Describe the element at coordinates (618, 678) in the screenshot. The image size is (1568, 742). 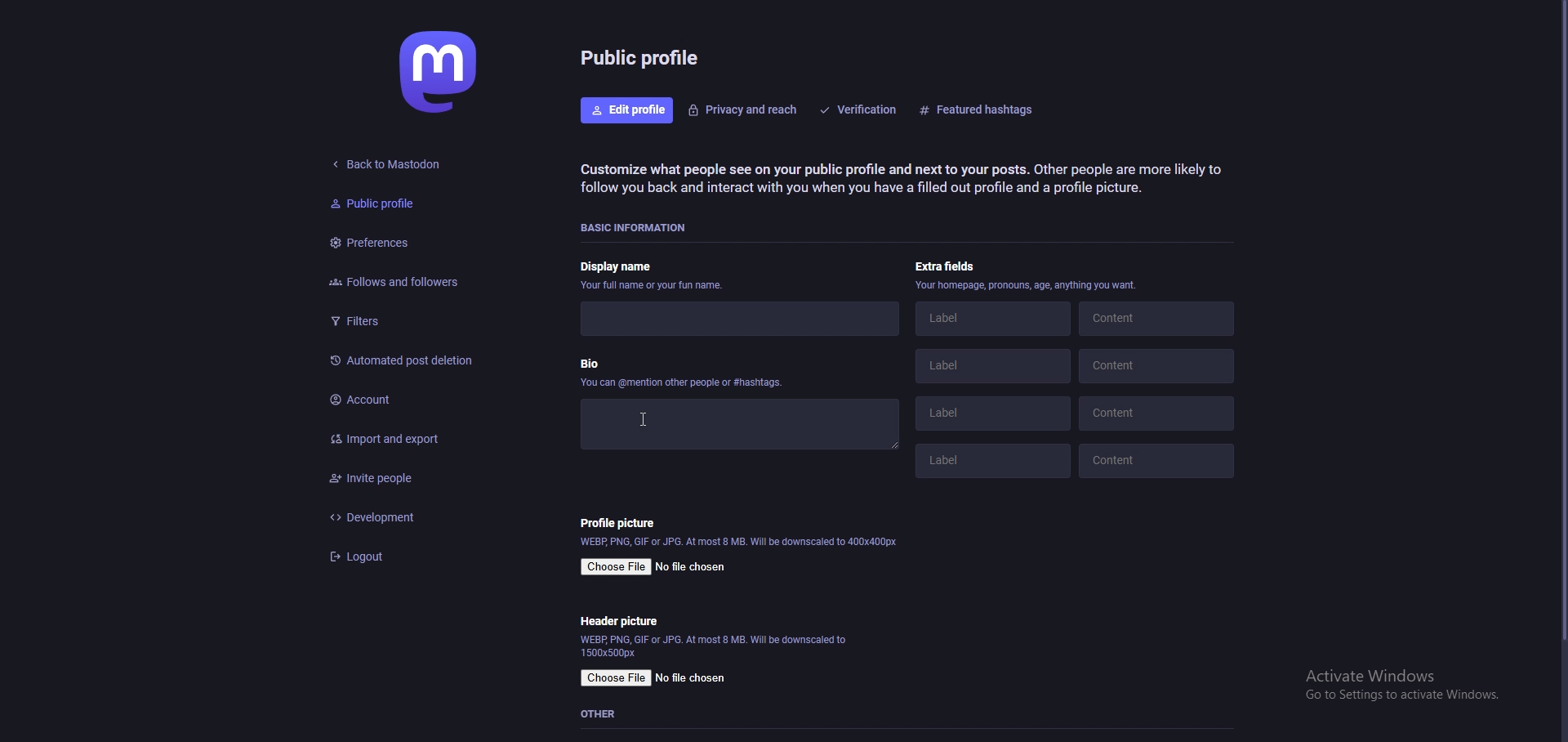
I see `choose file` at that location.